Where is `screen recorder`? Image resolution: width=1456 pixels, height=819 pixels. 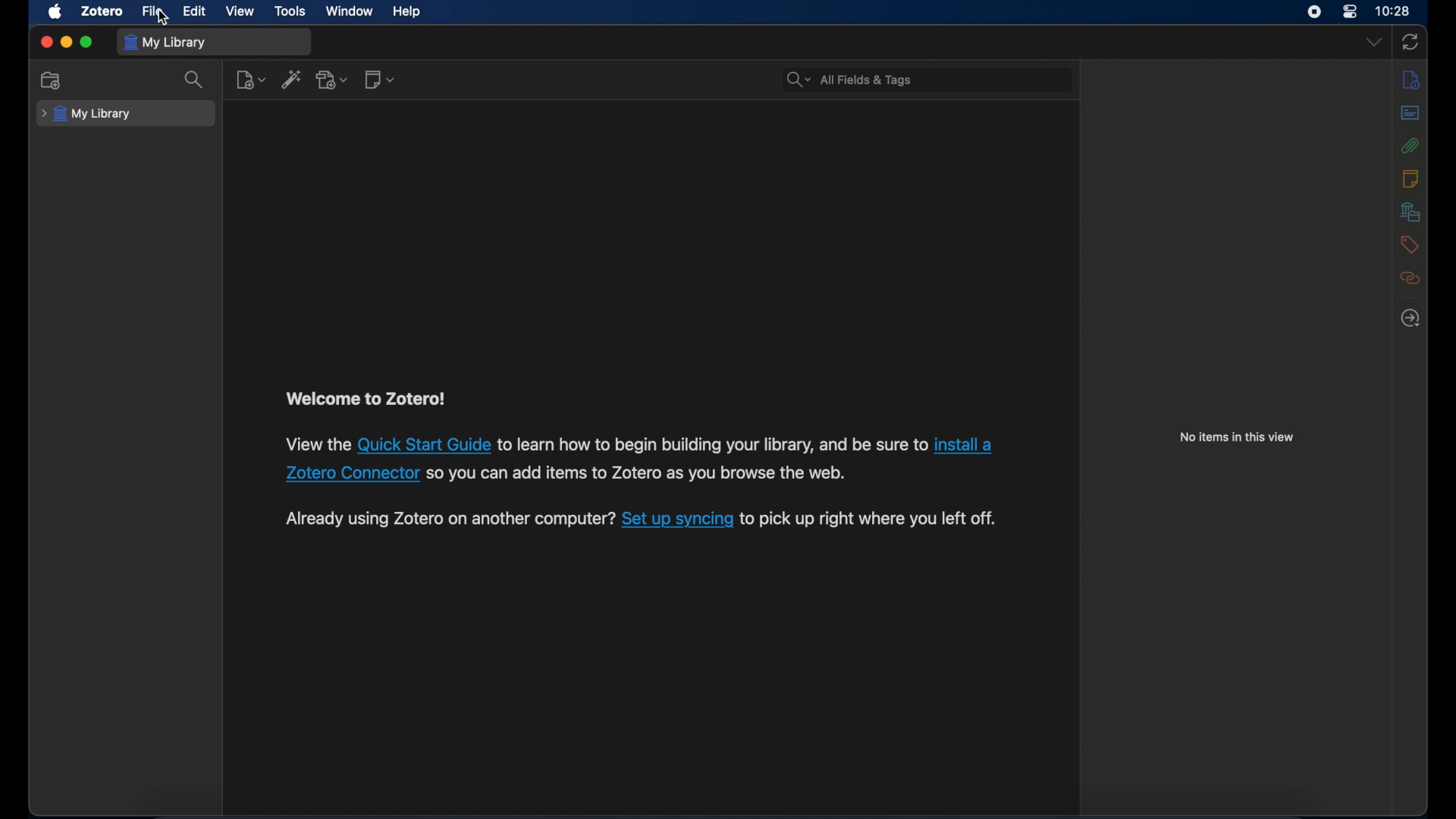 screen recorder is located at coordinates (1314, 11).